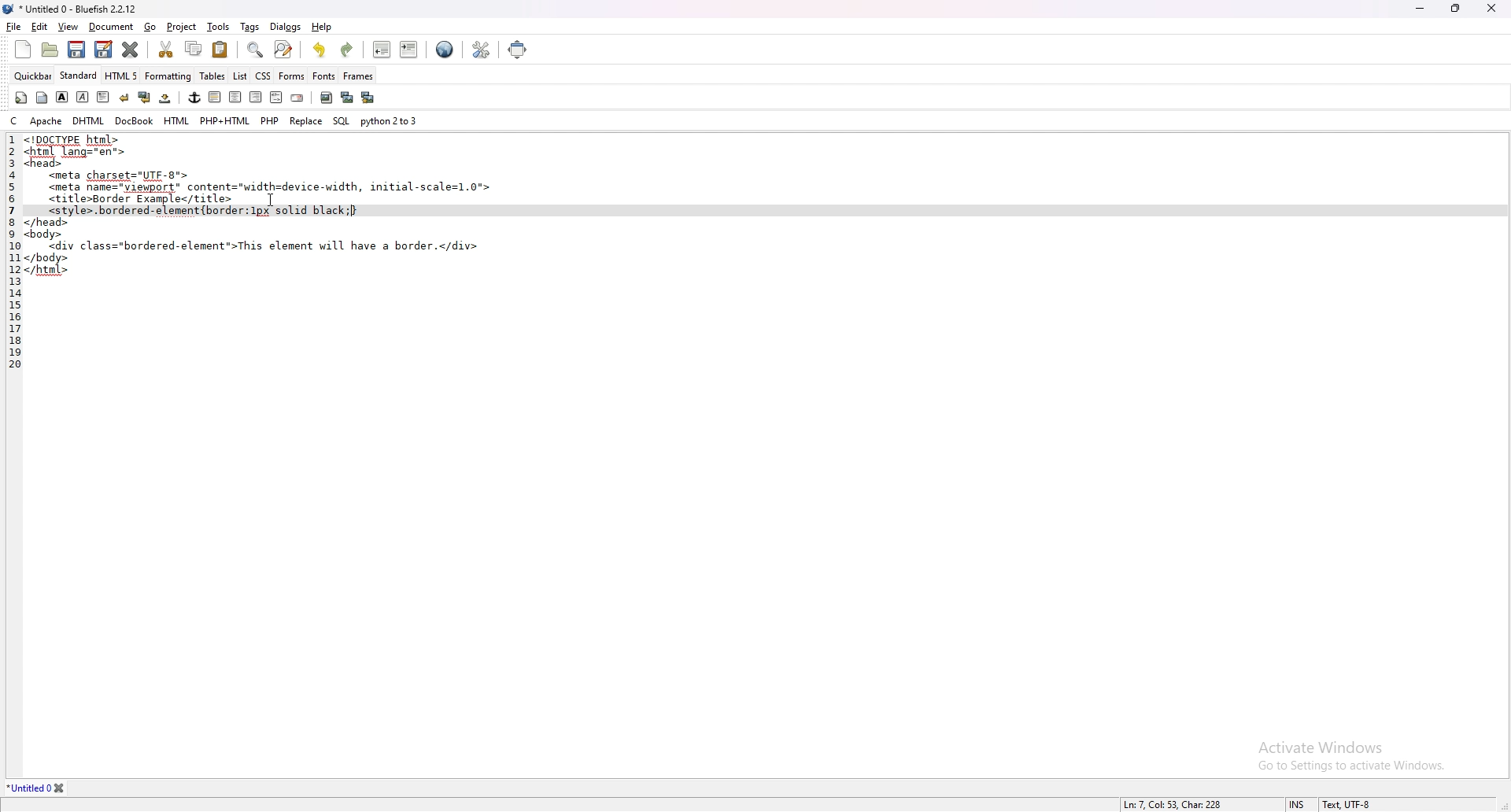 This screenshot has width=1511, height=812. Describe the element at coordinates (240, 76) in the screenshot. I see `list` at that location.